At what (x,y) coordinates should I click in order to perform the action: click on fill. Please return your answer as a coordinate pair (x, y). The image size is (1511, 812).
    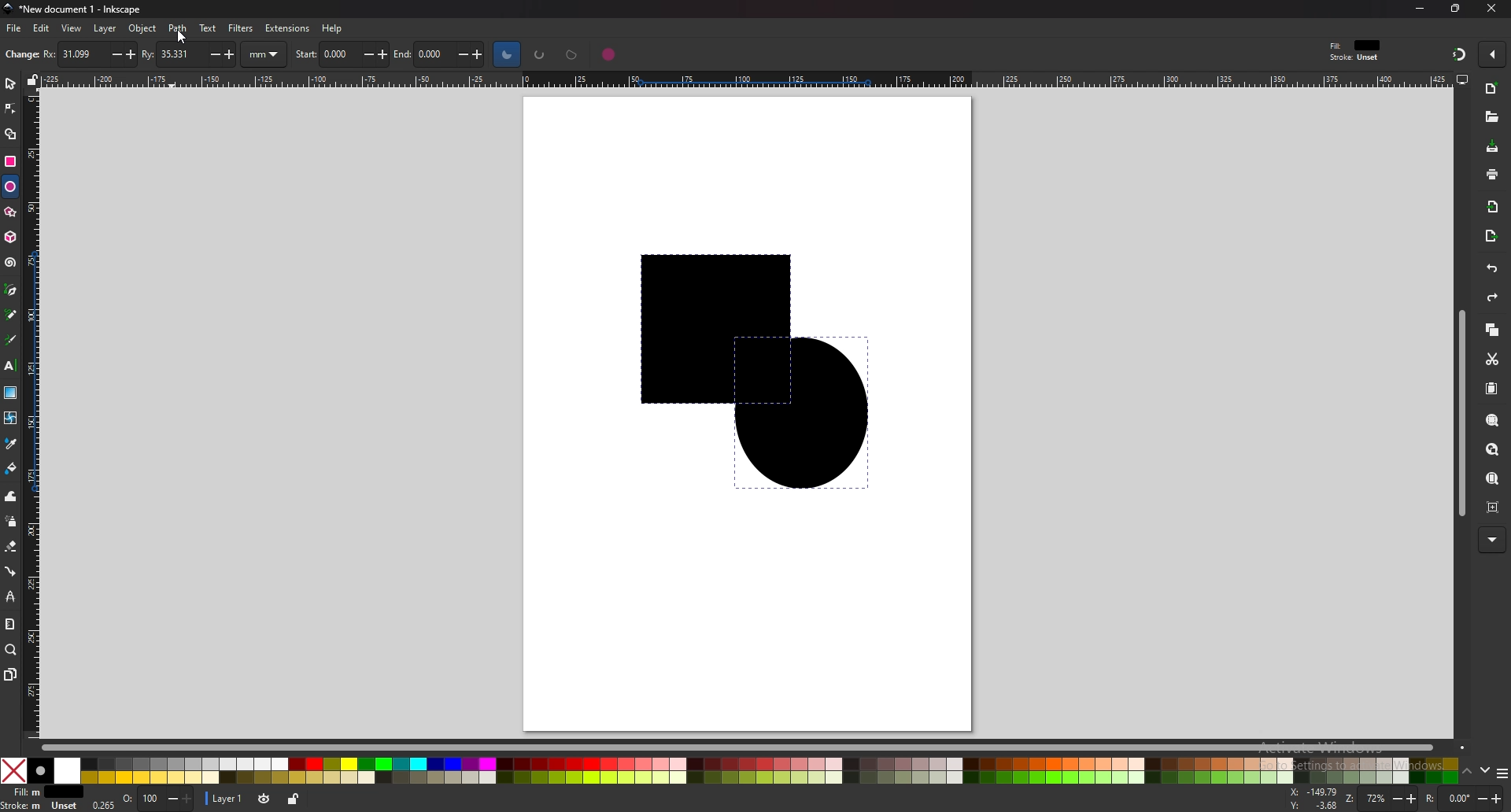
    Looking at the image, I should click on (42, 792).